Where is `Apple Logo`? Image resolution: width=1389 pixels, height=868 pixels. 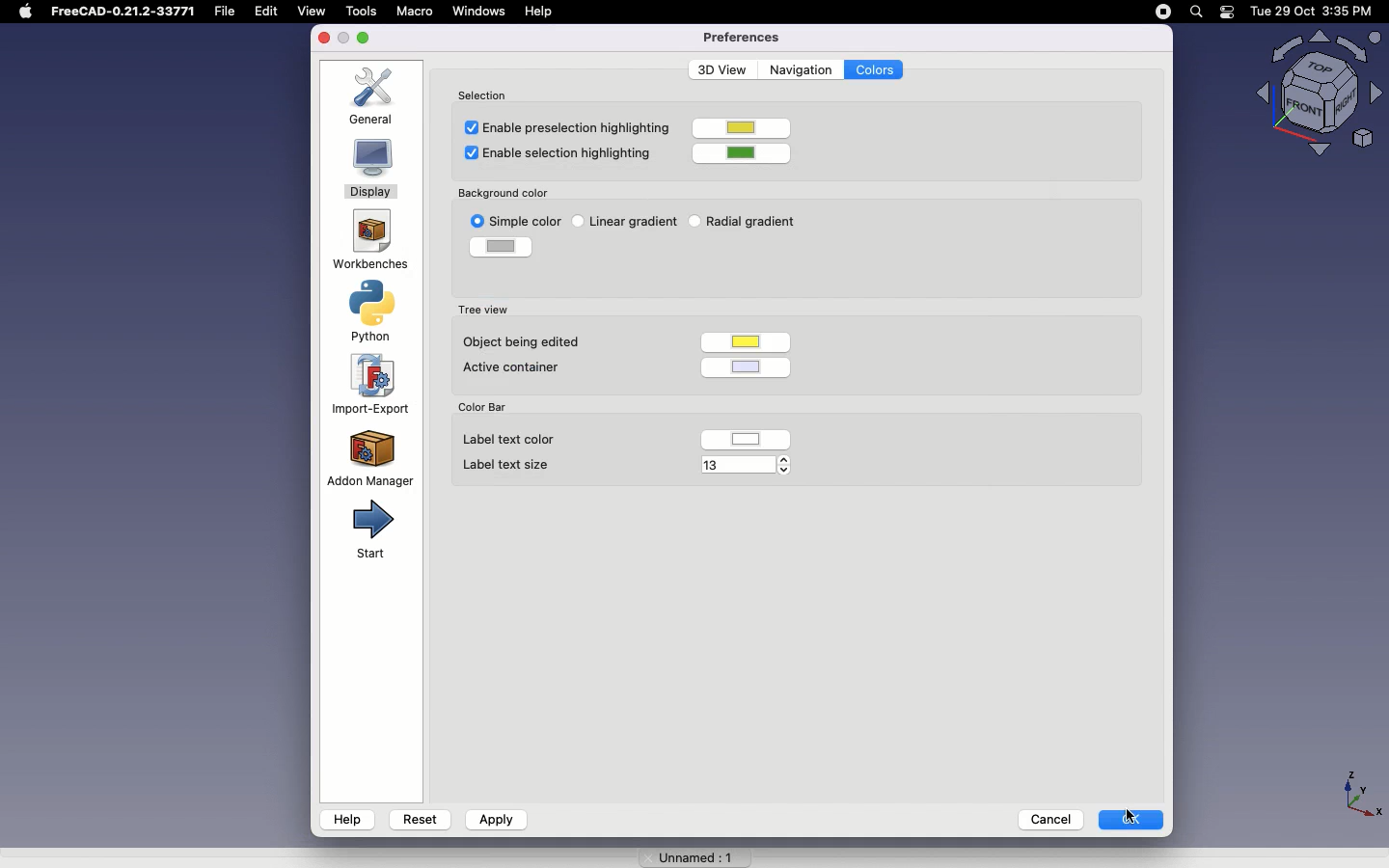 Apple Logo is located at coordinates (25, 12).